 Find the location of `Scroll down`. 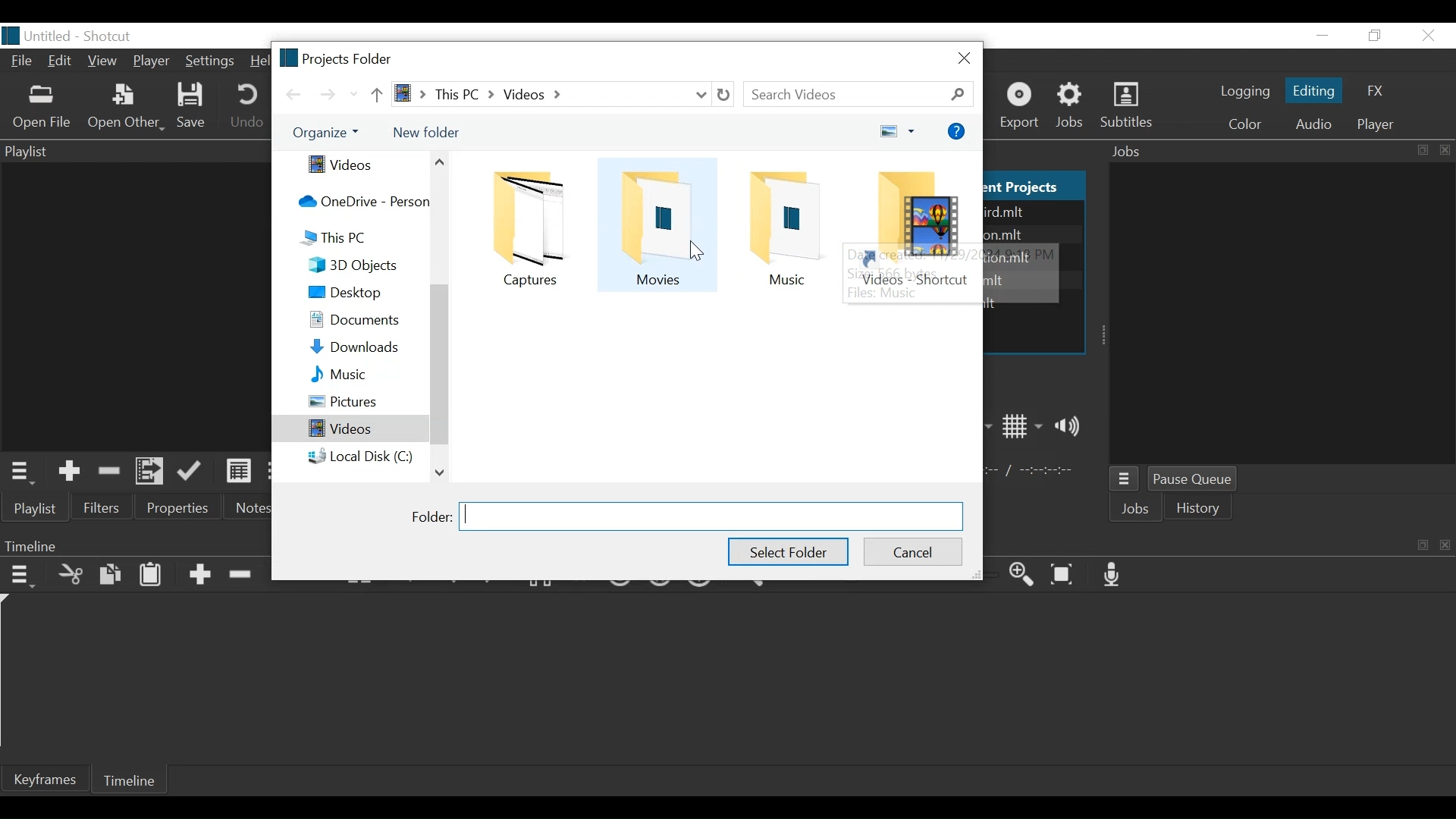

Scroll down is located at coordinates (440, 472).